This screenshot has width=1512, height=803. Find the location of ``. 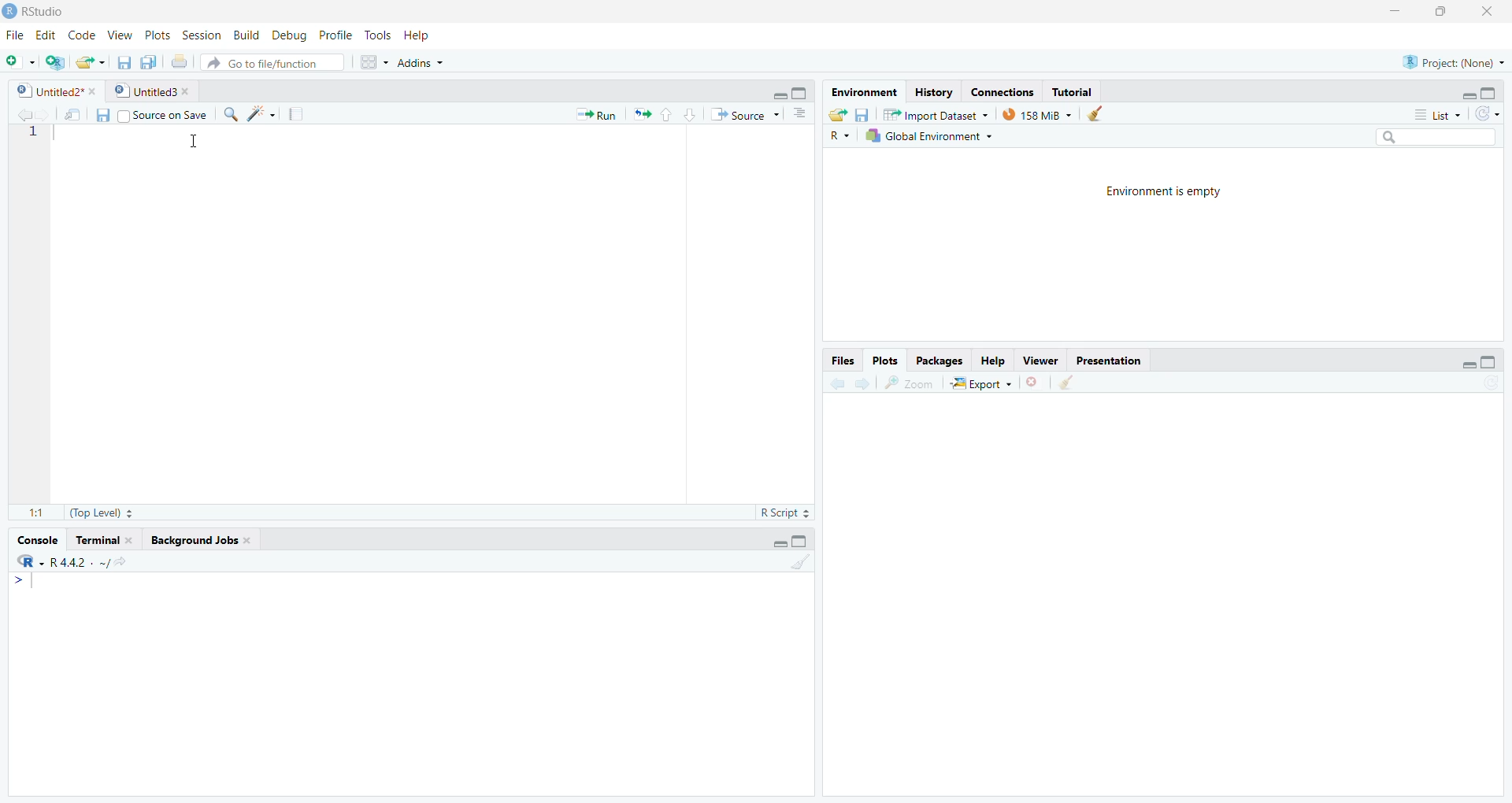

 is located at coordinates (372, 60).